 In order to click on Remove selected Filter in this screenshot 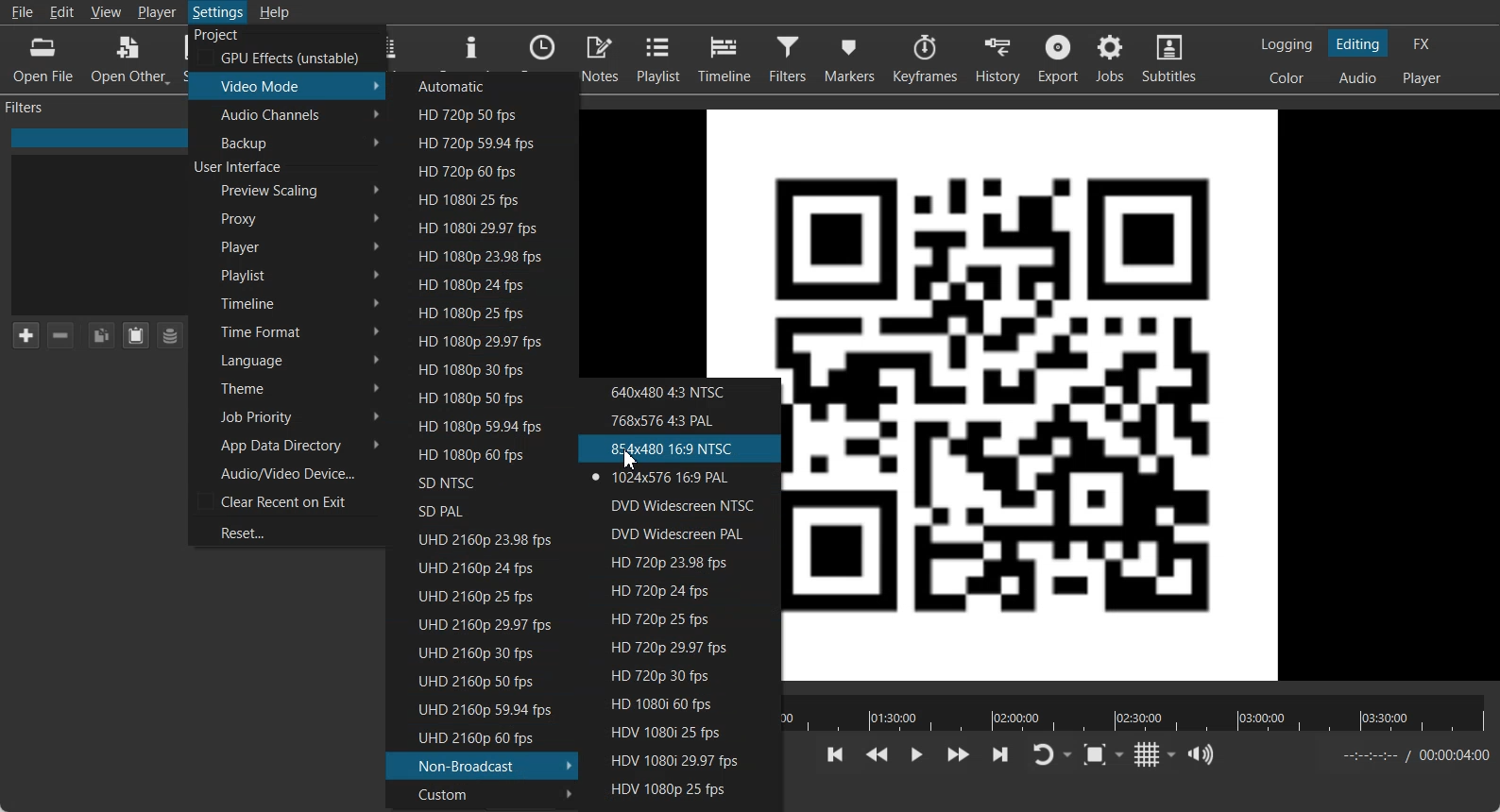, I will do `click(62, 335)`.